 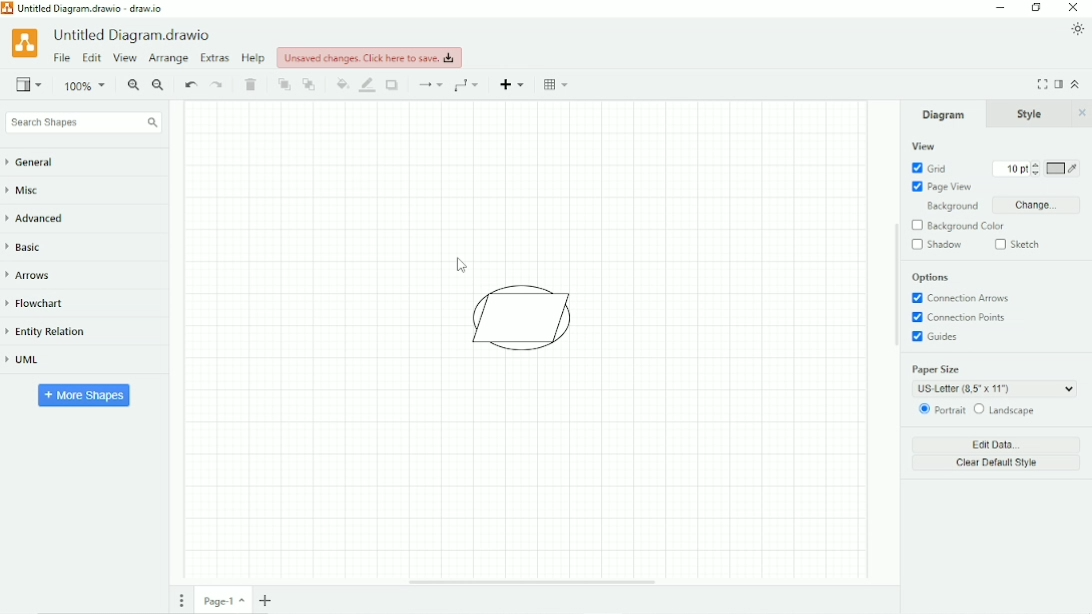 What do you see at coordinates (224, 600) in the screenshot?
I see `Current page` at bounding box center [224, 600].